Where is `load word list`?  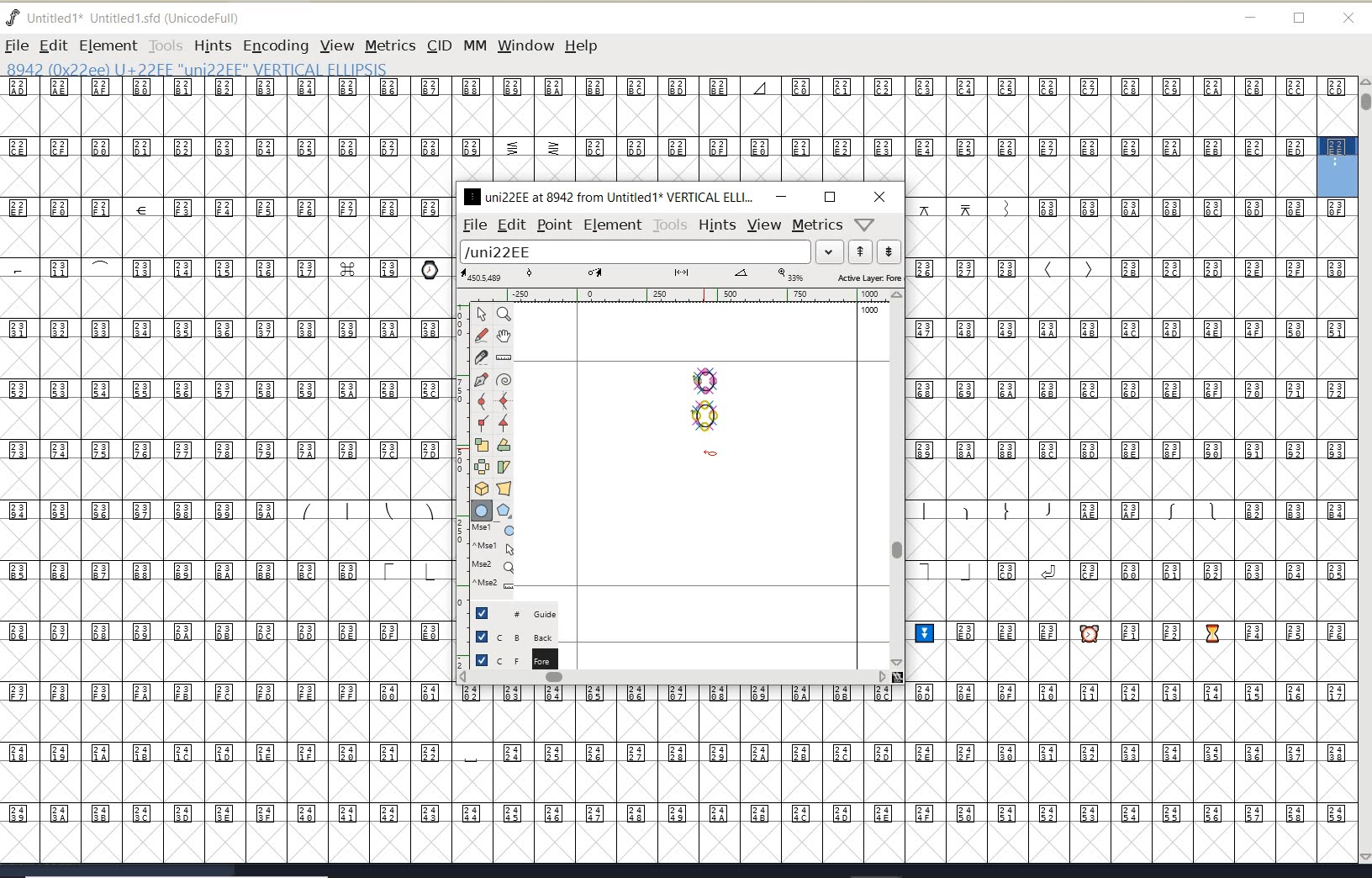
load word list is located at coordinates (648, 253).